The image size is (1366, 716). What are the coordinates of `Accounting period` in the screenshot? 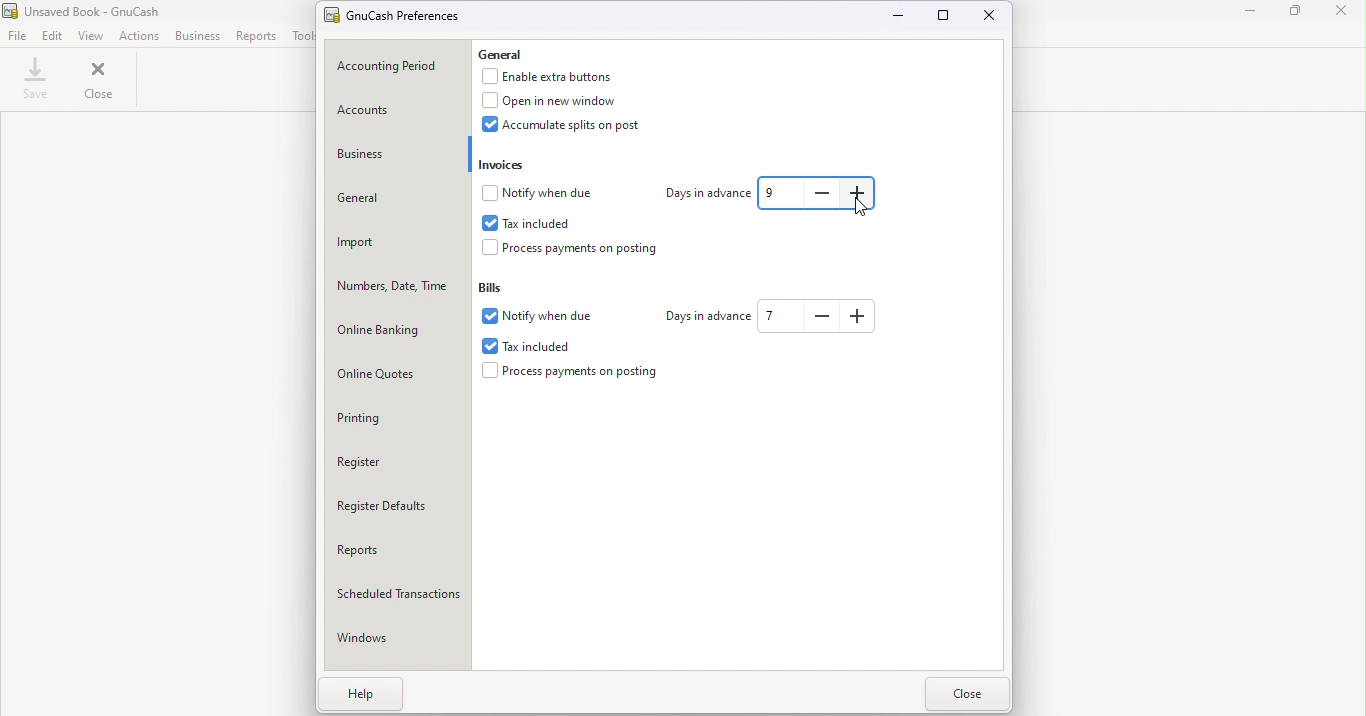 It's located at (399, 66).